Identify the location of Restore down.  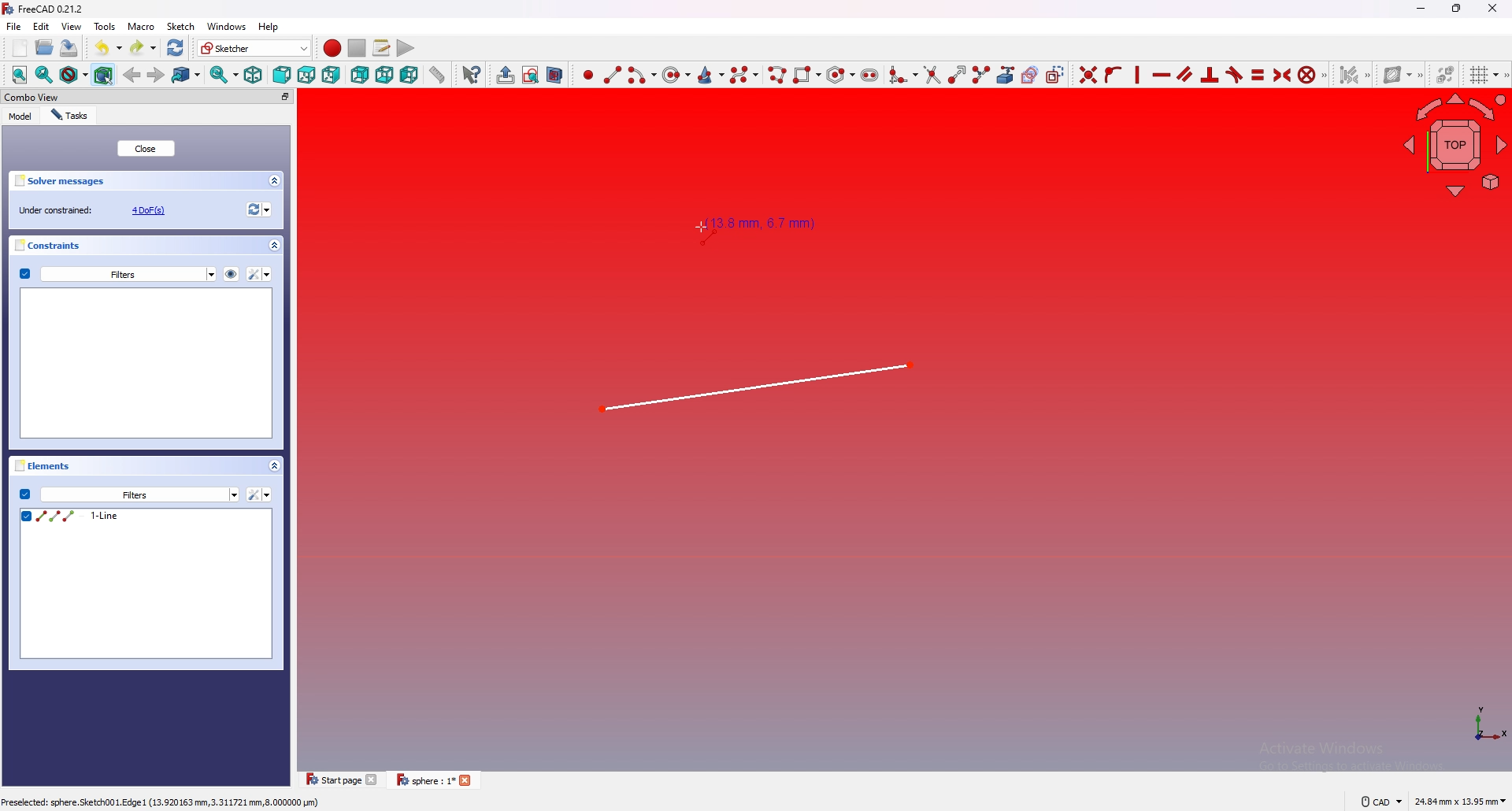
(1458, 8).